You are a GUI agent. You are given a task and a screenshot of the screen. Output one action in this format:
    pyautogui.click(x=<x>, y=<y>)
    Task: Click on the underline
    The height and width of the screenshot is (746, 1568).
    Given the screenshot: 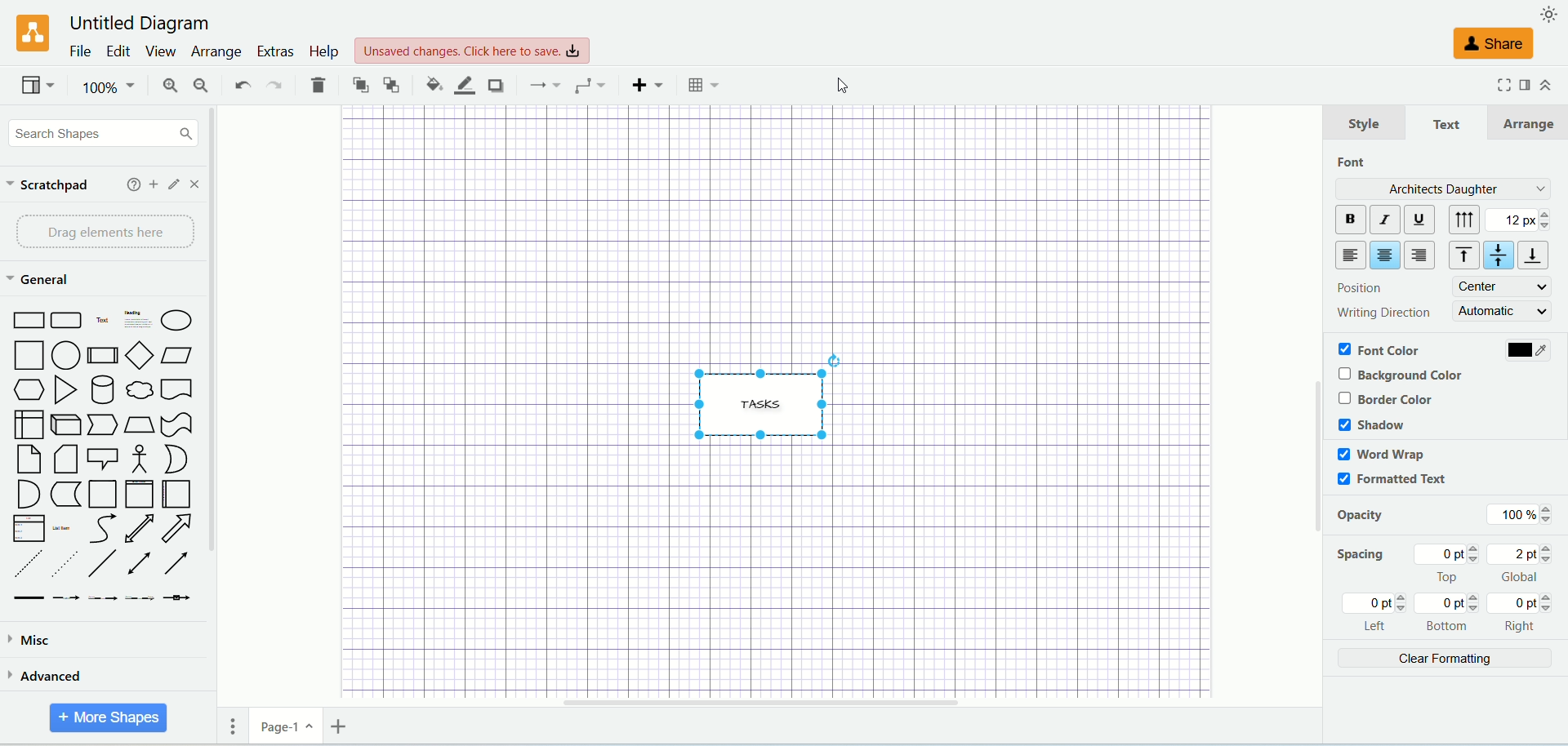 What is the action you would take?
    pyautogui.click(x=1420, y=220)
    